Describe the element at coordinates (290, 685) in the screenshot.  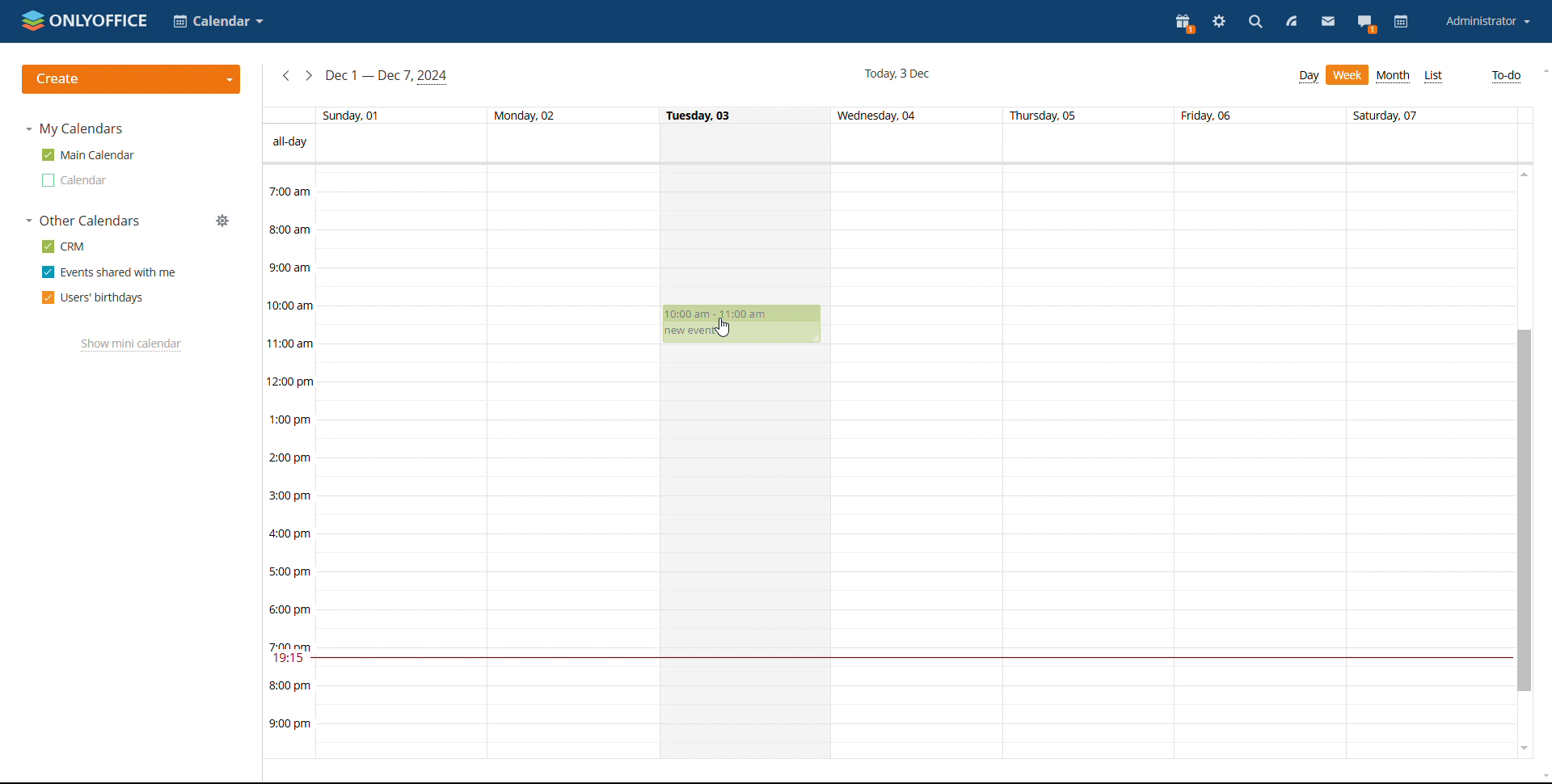
I see `8:00 pm` at that location.